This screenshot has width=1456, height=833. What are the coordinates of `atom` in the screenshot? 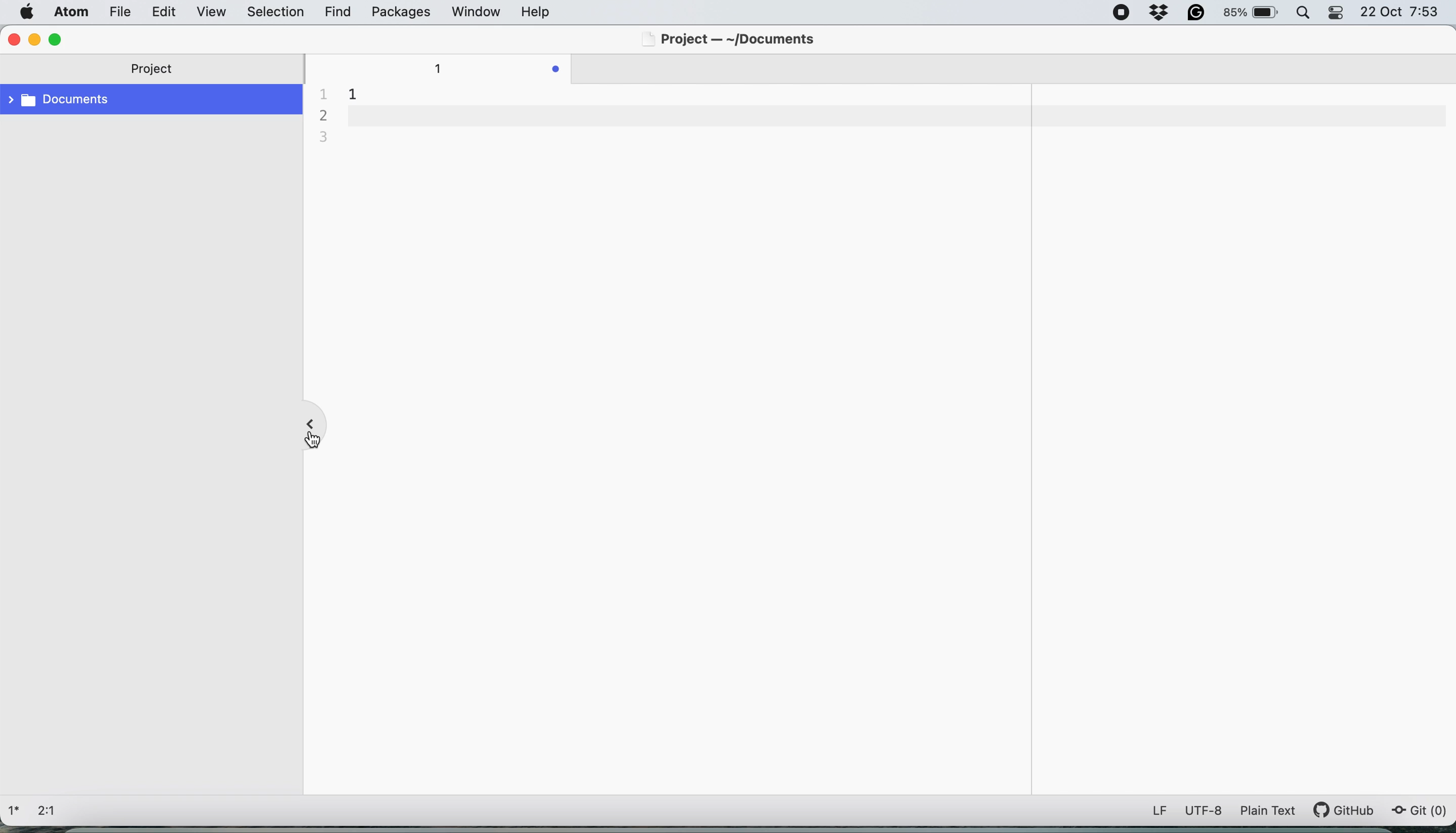 It's located at (69, 13).